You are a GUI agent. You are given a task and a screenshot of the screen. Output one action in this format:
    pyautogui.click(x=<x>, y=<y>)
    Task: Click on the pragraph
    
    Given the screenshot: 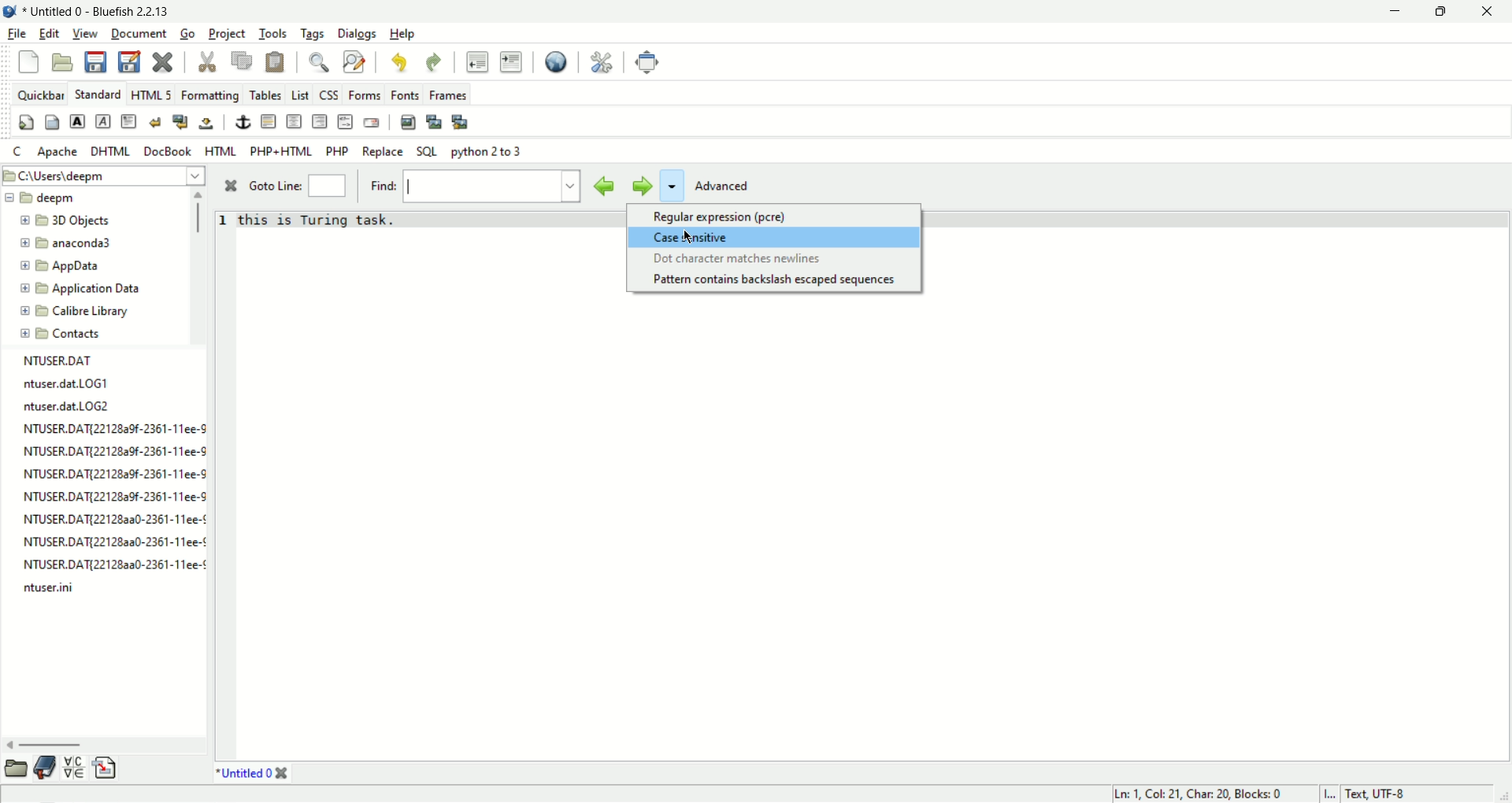 What is the action you would take?
    pyautogui.click(x=129, y=121)
    